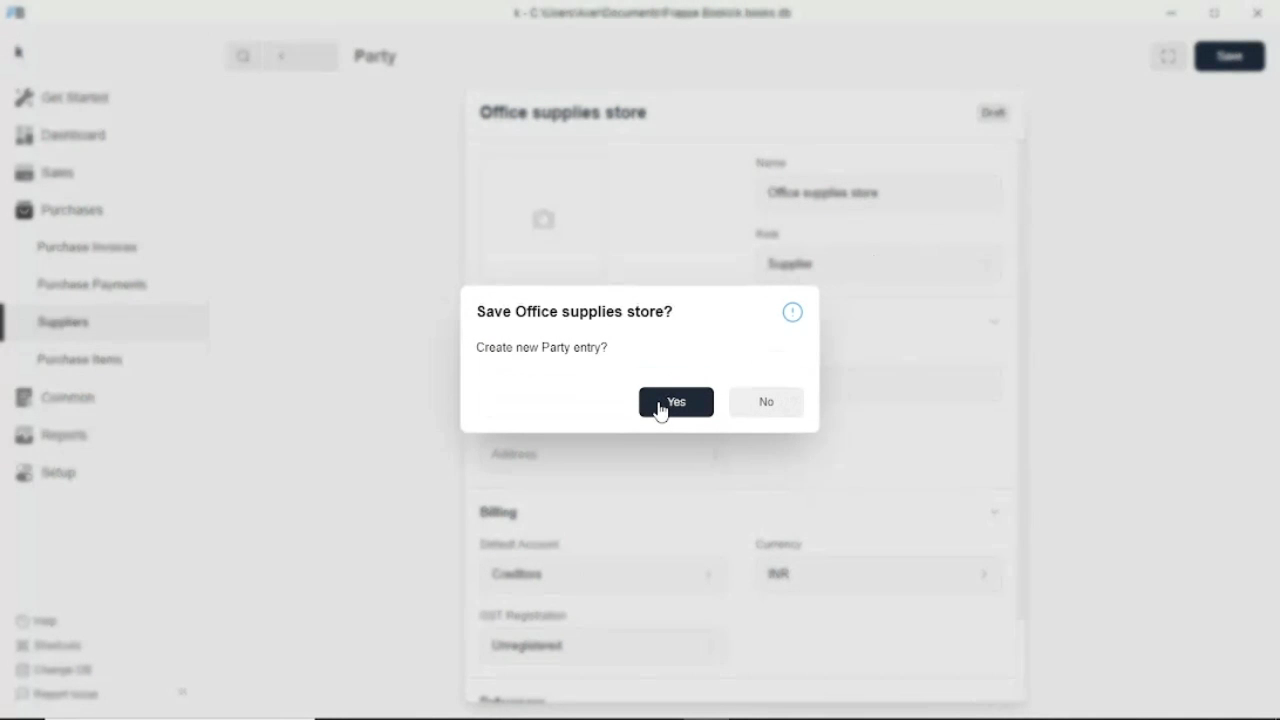  Describe the element at coordinates (63, 97) in the screenshot. I see `Get started` at that location.